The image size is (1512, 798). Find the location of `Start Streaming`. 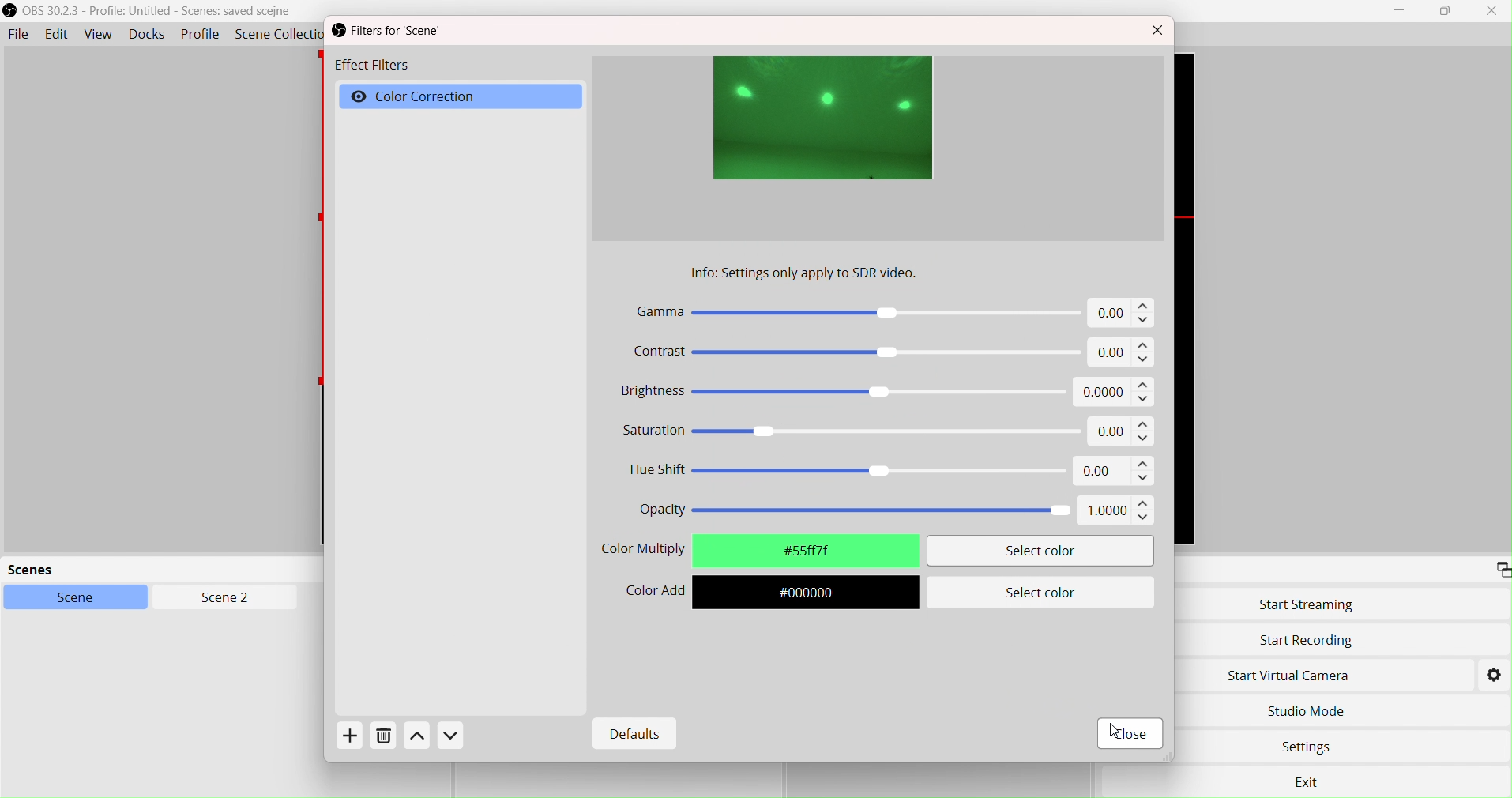

Start Streaming is located at coordinates (1307, 604).